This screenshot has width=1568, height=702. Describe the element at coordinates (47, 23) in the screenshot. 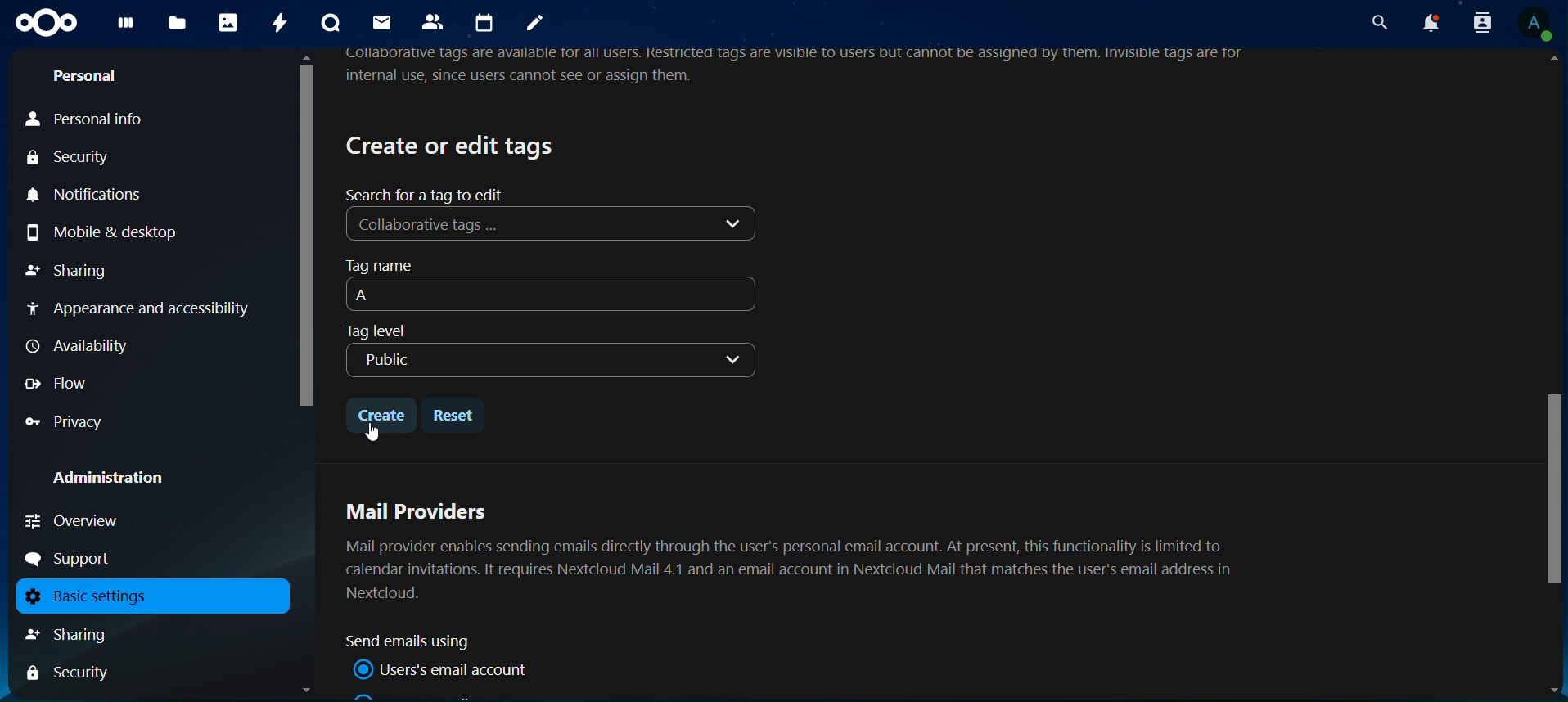

I see `icon` at that location.